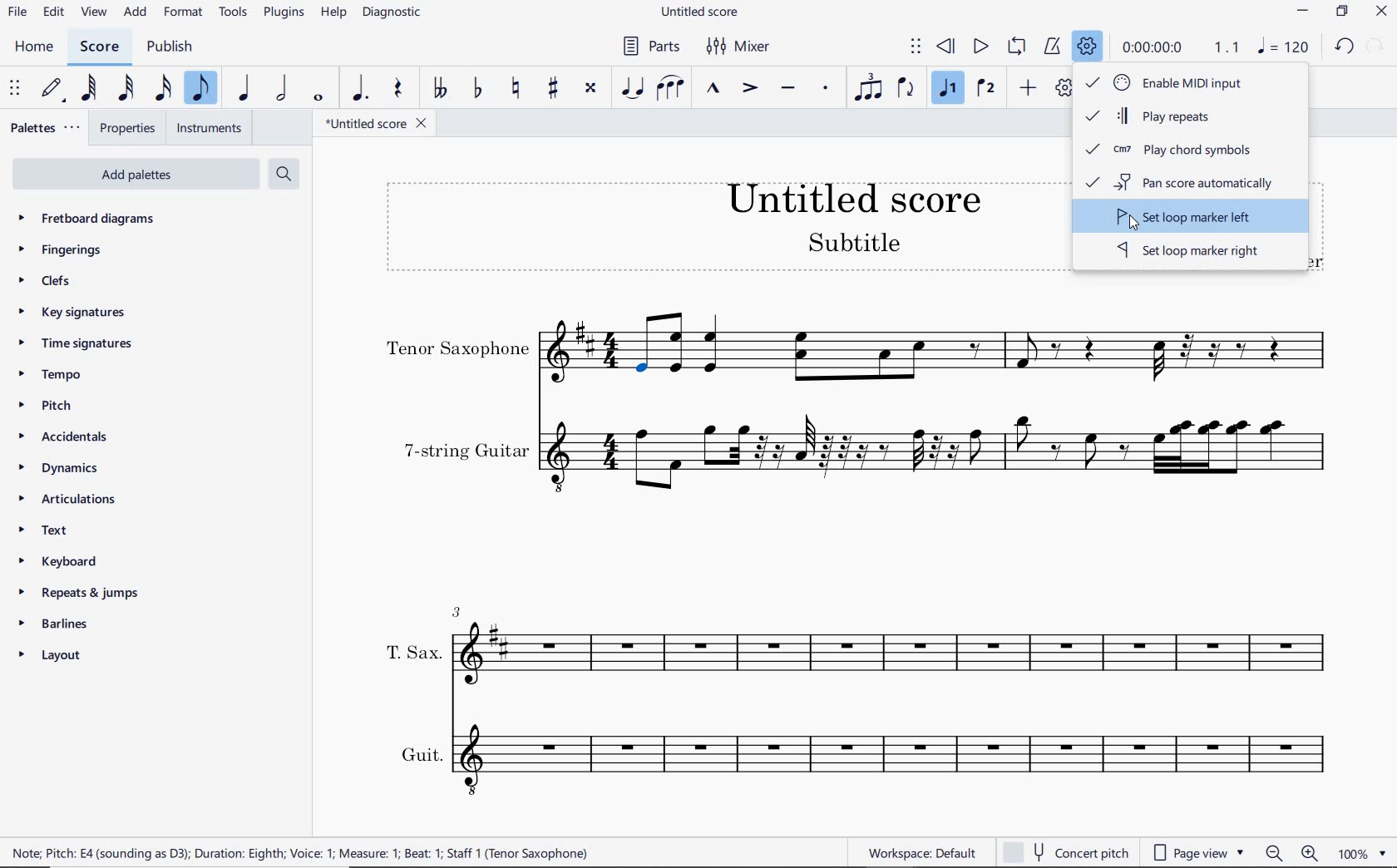 The height and width of the screenshot is (868, 1397). I want to click on ZOOM FACTOR, so click(1364, 856).